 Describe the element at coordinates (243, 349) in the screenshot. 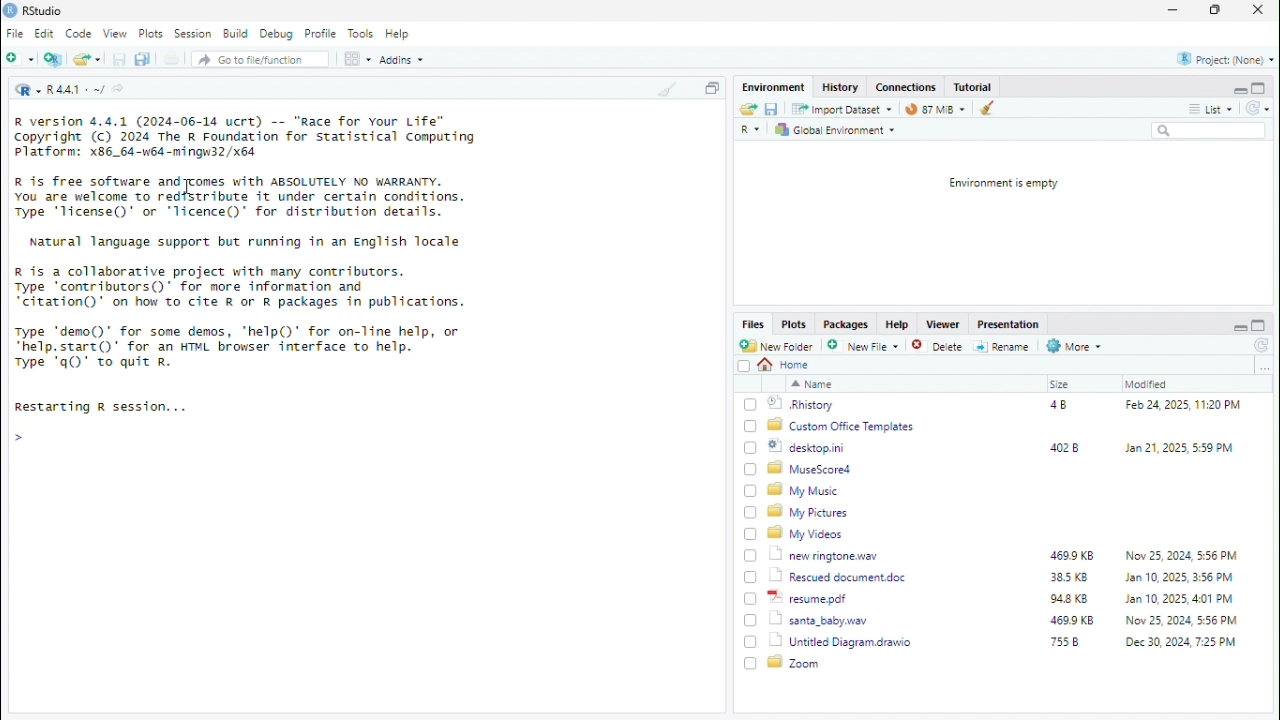

I see `Type "demo()" for some demos, ‘help()’ for on-line help, or
“help.start()* for an HTML browser interface to help.
Type "q()" to quit R.` at that location.